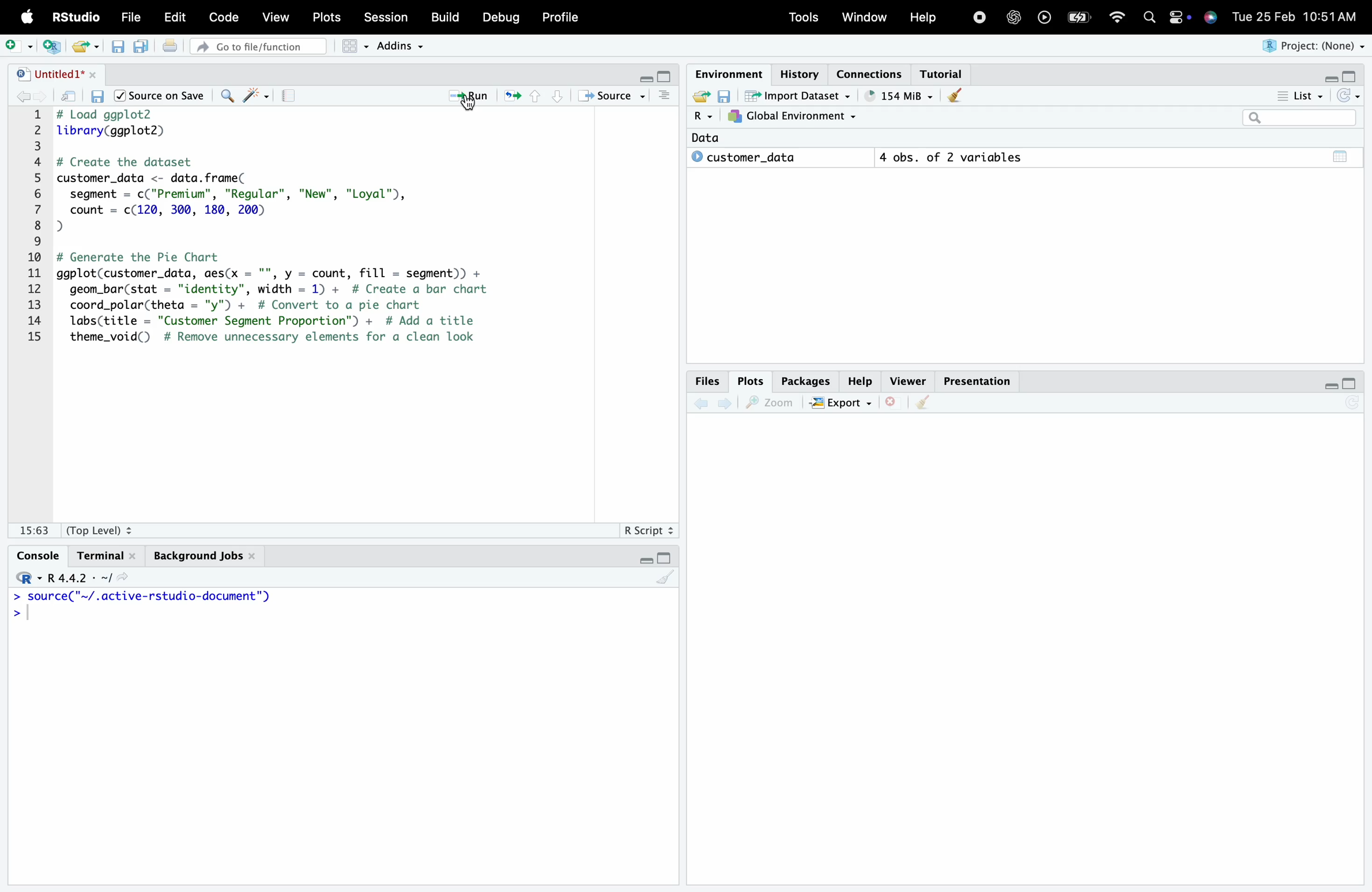 This screenshot has width=1372, height=892. What do you see at coordinates (448, 16) in the screenshot?
I see `Build` at bounding box center [448, 16].